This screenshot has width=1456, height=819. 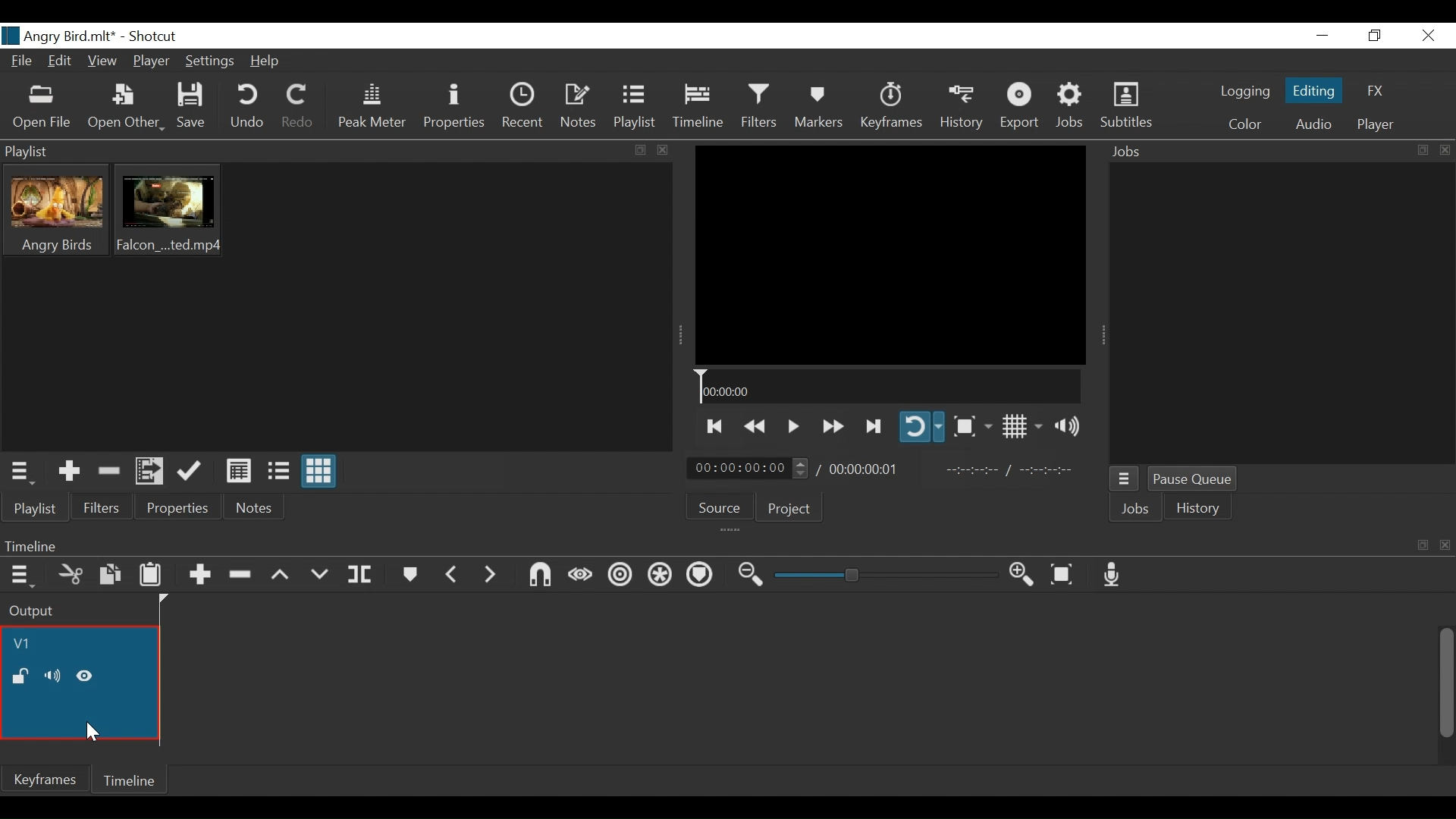 I want to click on Toggle play or pause, so click(x=795, y=427).